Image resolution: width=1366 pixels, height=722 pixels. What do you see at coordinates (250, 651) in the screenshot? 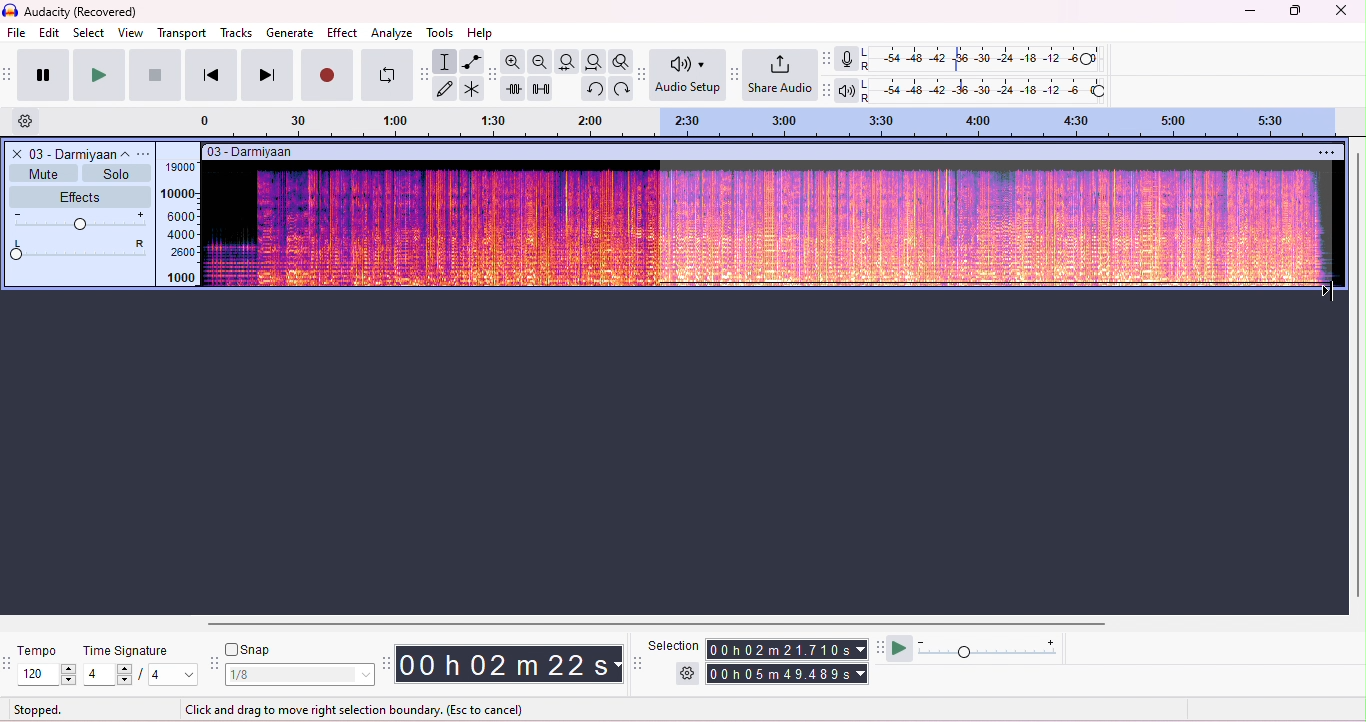
I see `snap` at bounding box center [250, 651].